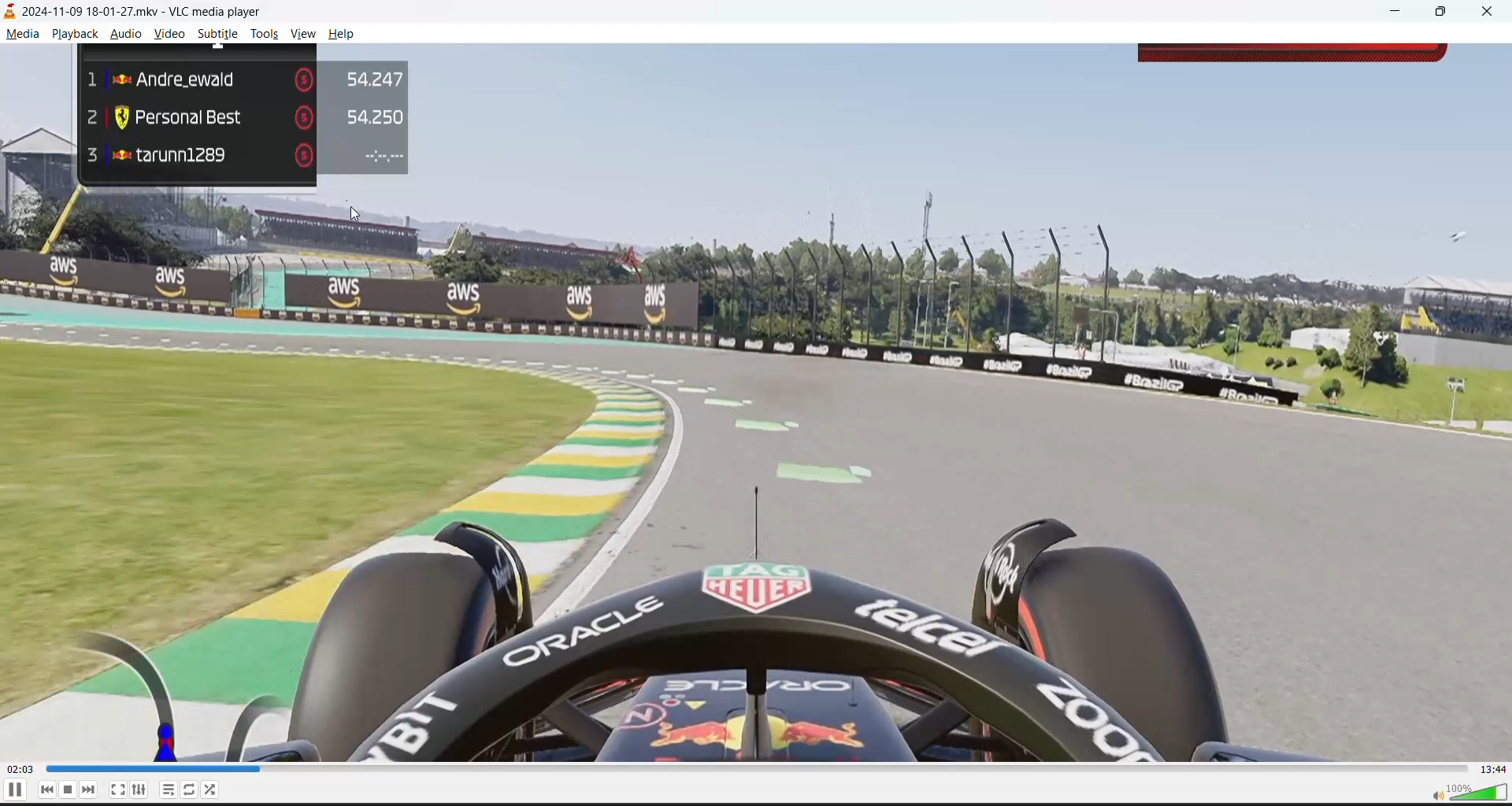 The height and width of the screenshot is (806, 1512). Describe the element at coordinates (1492, 769) in the screenshot. I see `total track time` at that location.